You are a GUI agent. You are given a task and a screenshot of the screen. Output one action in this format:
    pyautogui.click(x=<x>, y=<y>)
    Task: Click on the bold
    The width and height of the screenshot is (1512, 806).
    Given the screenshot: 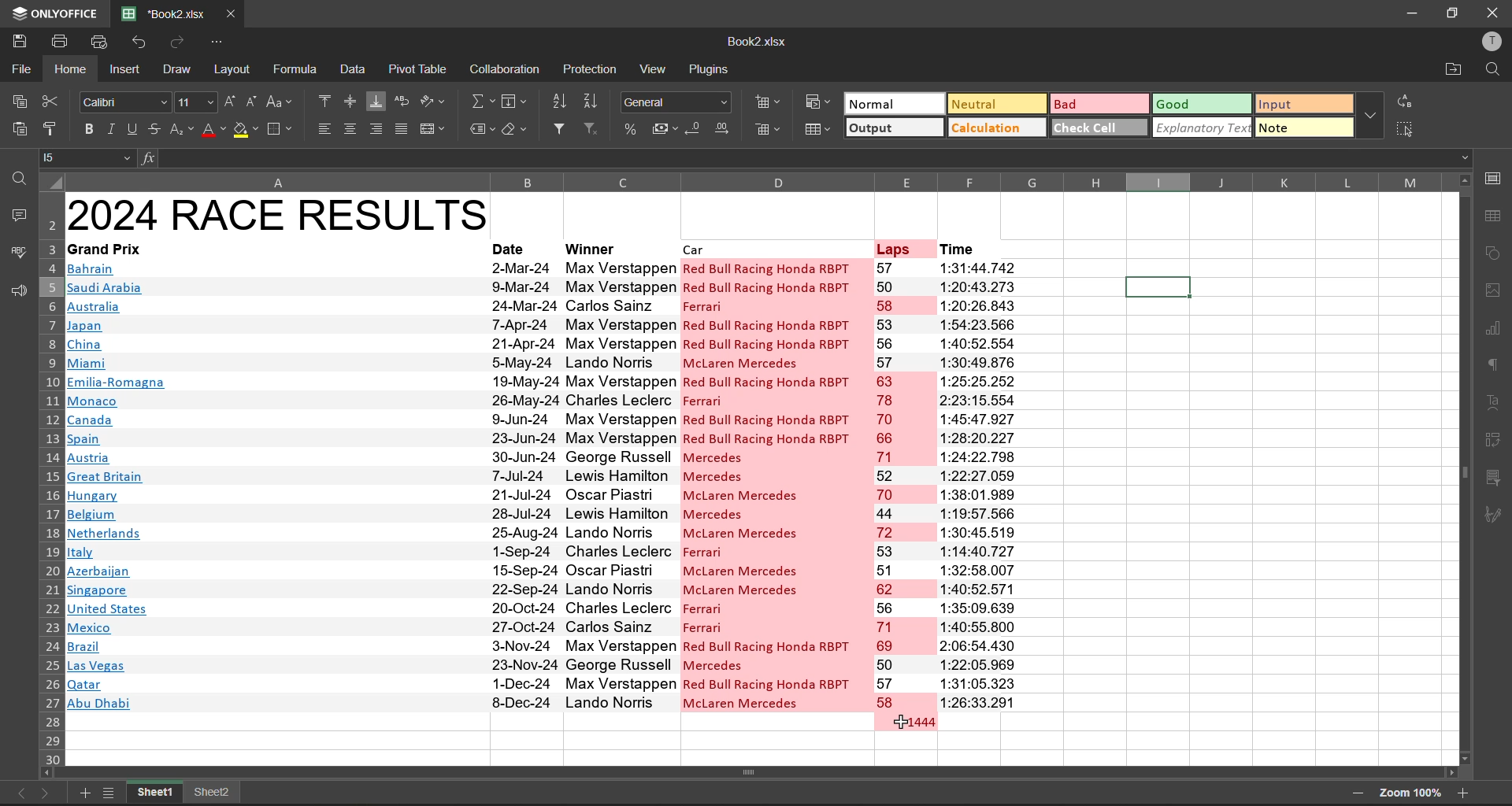 What is the action you would take?
    pyautogui.click(x=86, y=128)
    